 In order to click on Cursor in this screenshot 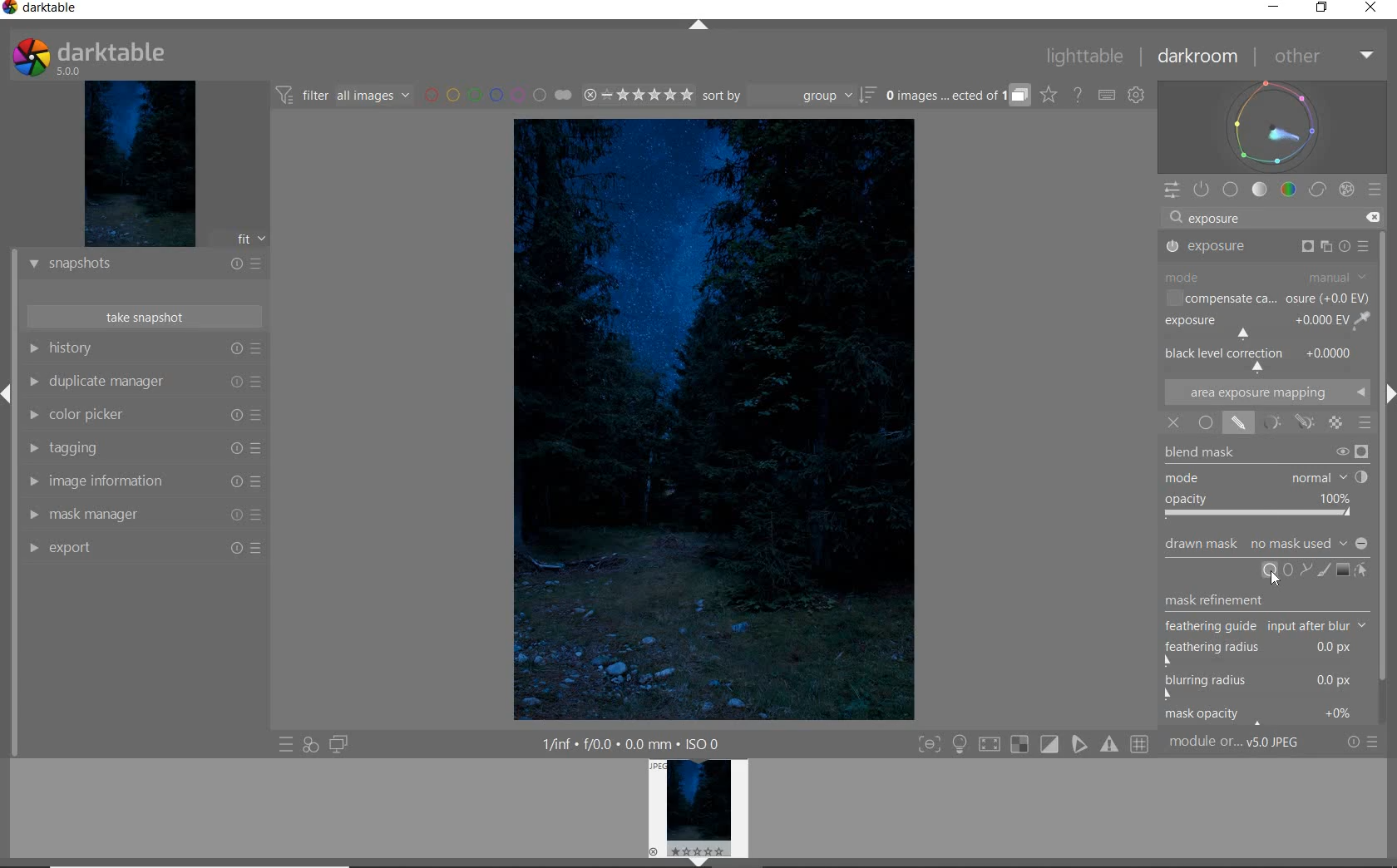, I will do `click(1277, 580)`.